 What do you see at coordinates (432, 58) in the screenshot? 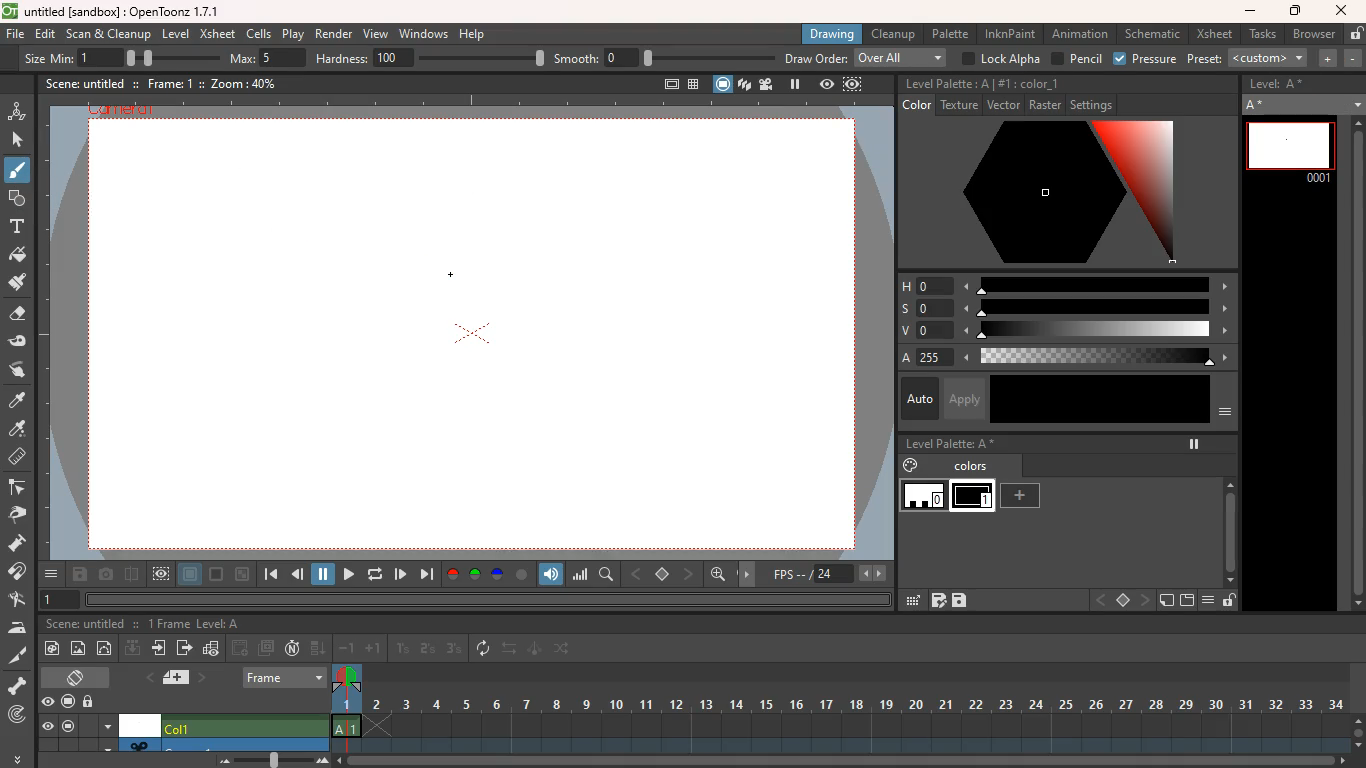
I see `hardness` at bounding box center [432, 58].